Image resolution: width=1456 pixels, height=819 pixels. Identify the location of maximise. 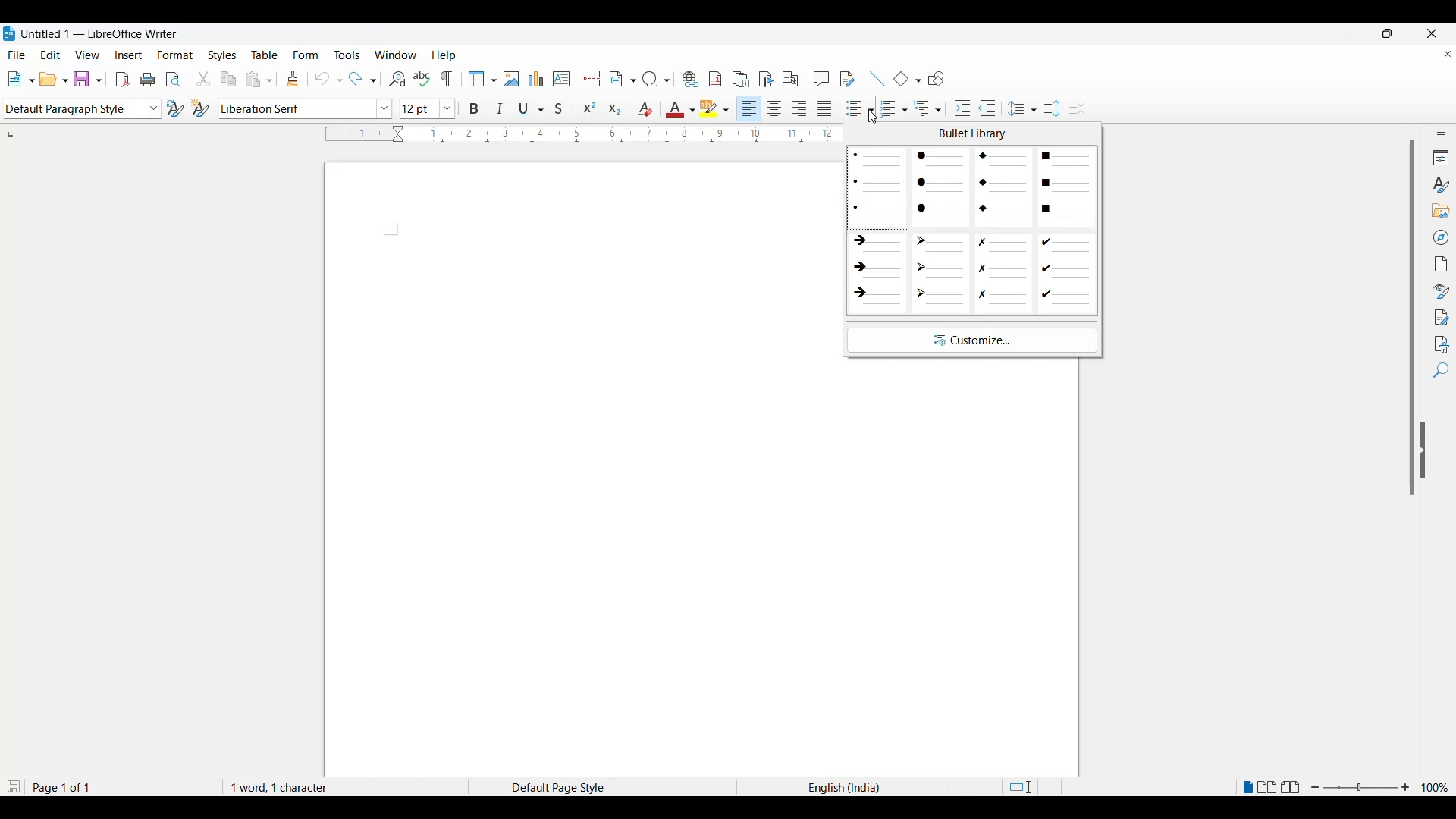
(1384, 33).